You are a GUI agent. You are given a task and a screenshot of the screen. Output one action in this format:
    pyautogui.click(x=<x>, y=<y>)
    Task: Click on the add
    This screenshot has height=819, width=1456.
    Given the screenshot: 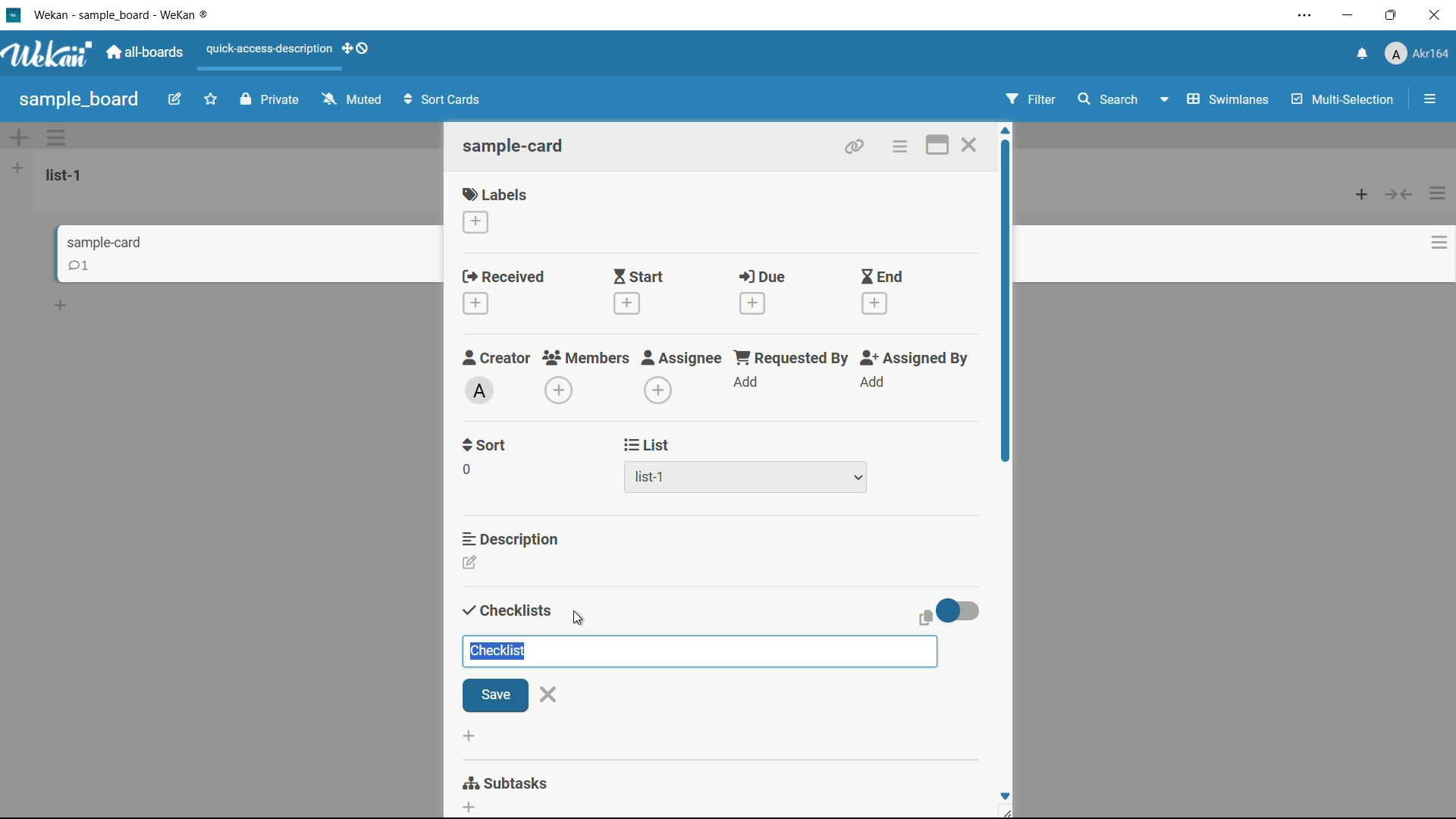 What is the action you would take?
    pyautogui.click(x=63, y=306)
    